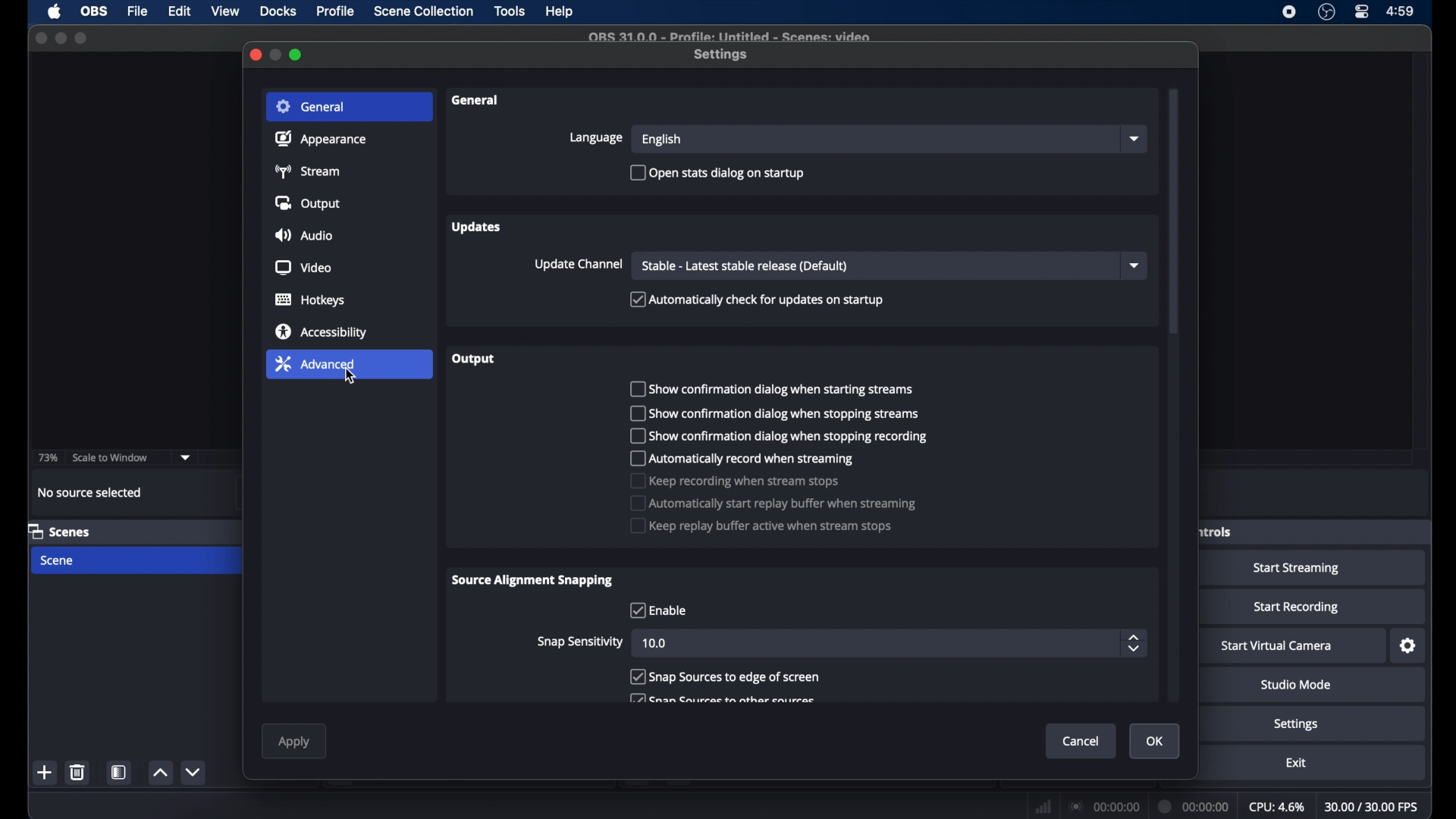 The width and height of the screenshot is (1456, 819). What do you see at coordinates (1080, 741) in the screenshot?
I see `Cancel` at bounding box center [1080, 741].